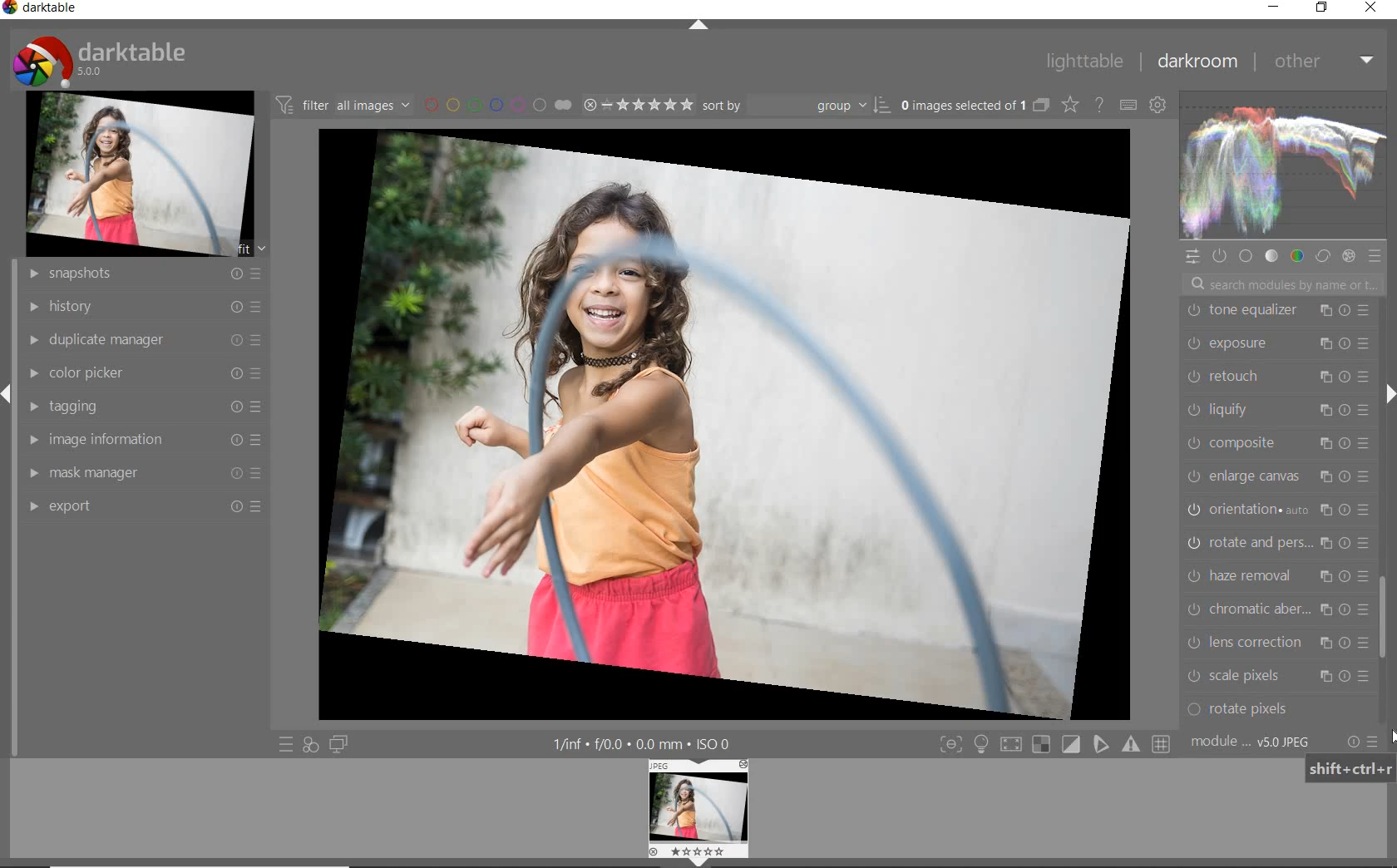  What do you see at coordinates (1348, 768) in the screenshot?
I see `shift+ctrl+r` at bounding box center [1348, 768].